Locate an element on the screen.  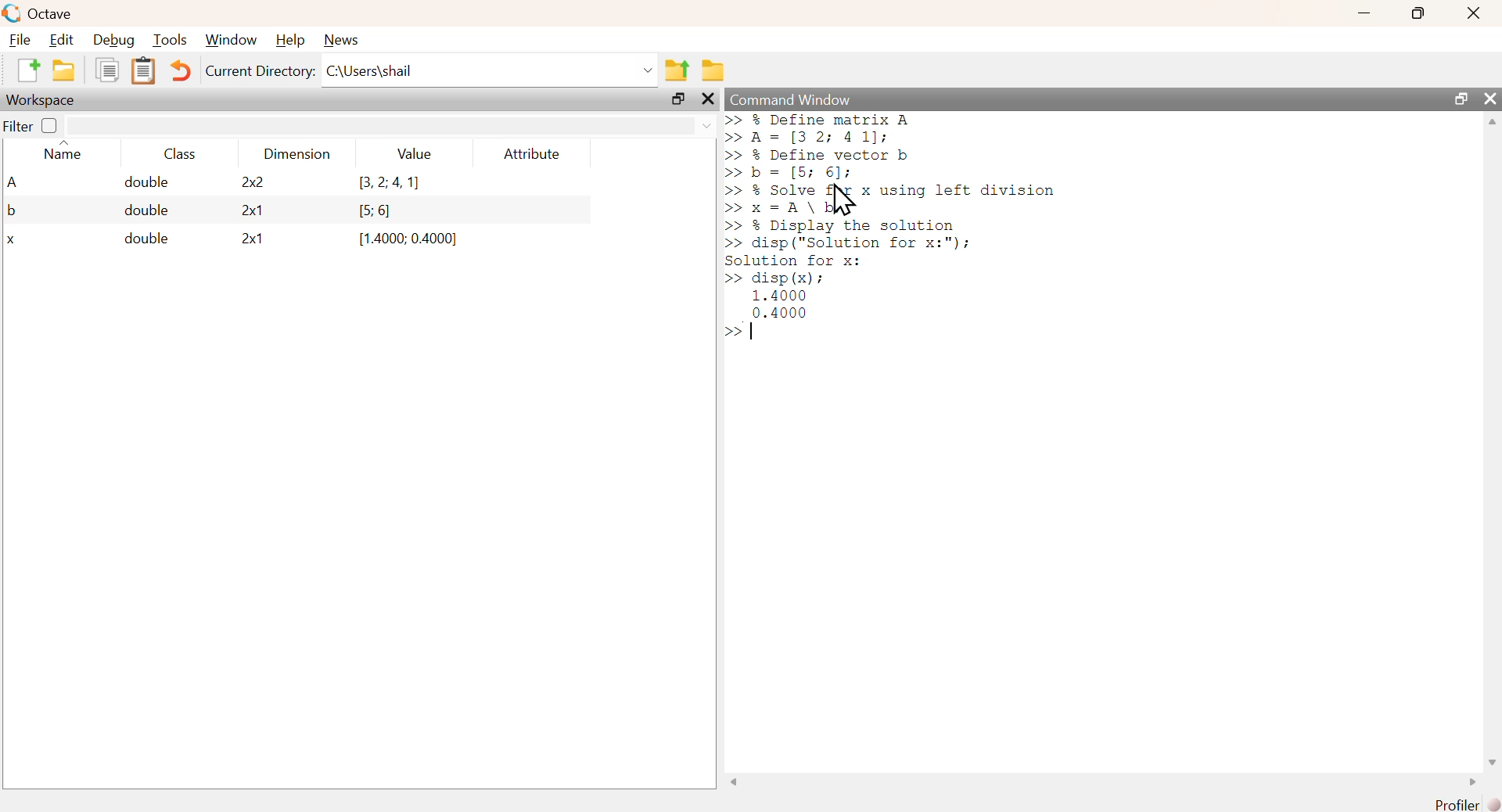
close is located at coordinates (1472, 14).